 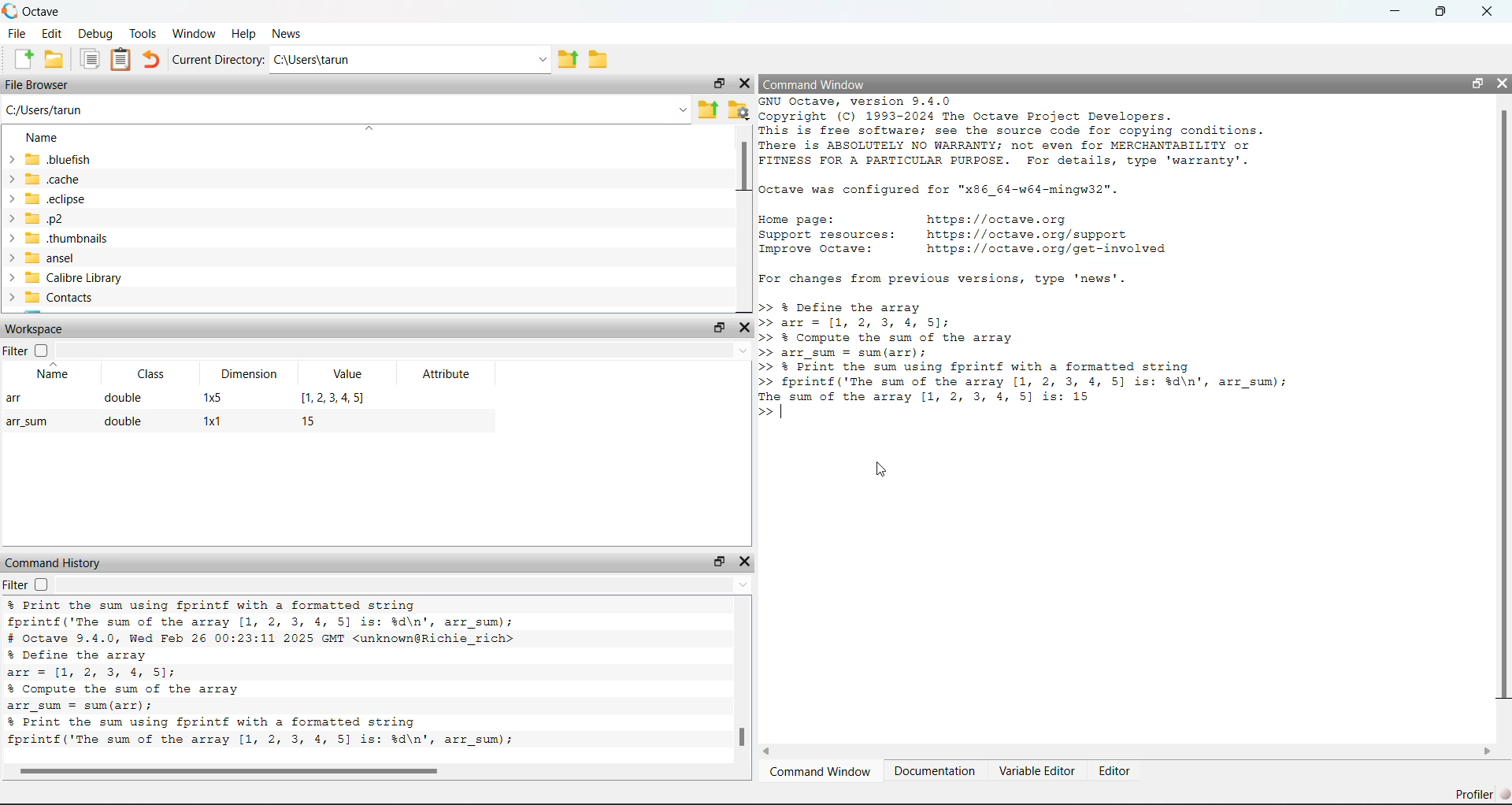 I want to click on Paste, so click(x=121, y=60).